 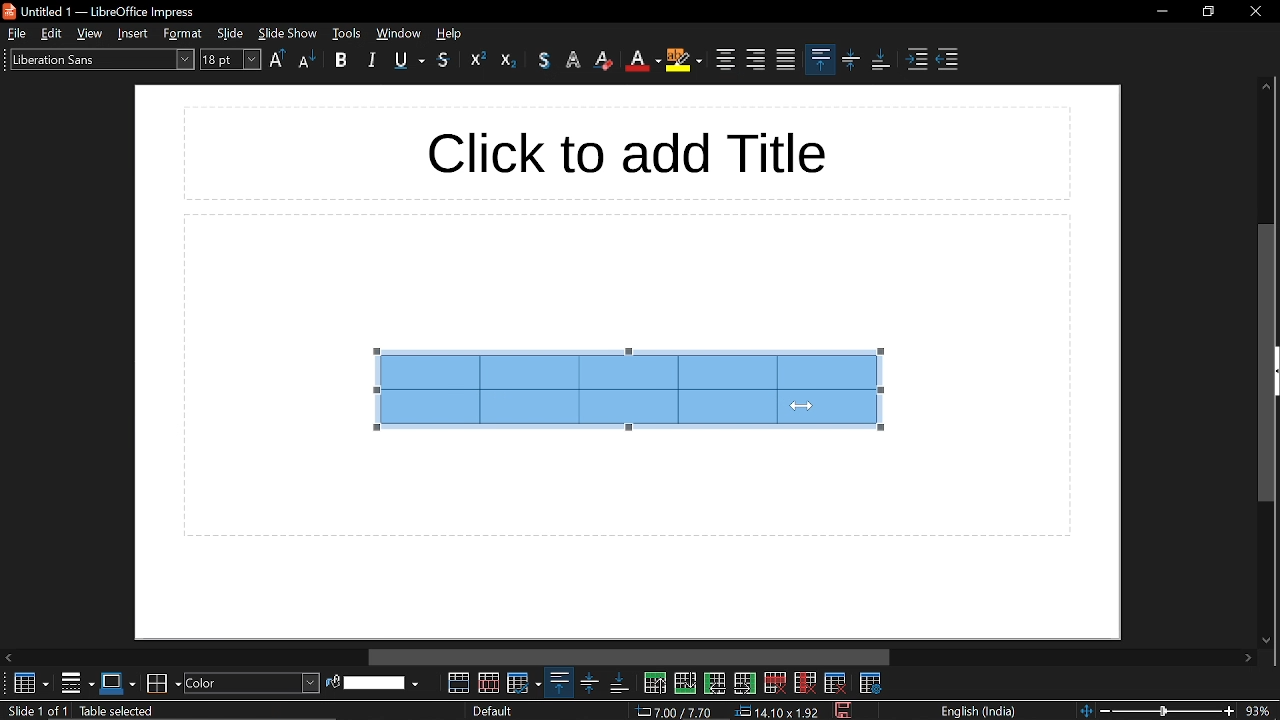 What do you see at coordinates (1276, 371) in the screenshot?
I see `expand sidebar` at bounding box center [1276, 371].